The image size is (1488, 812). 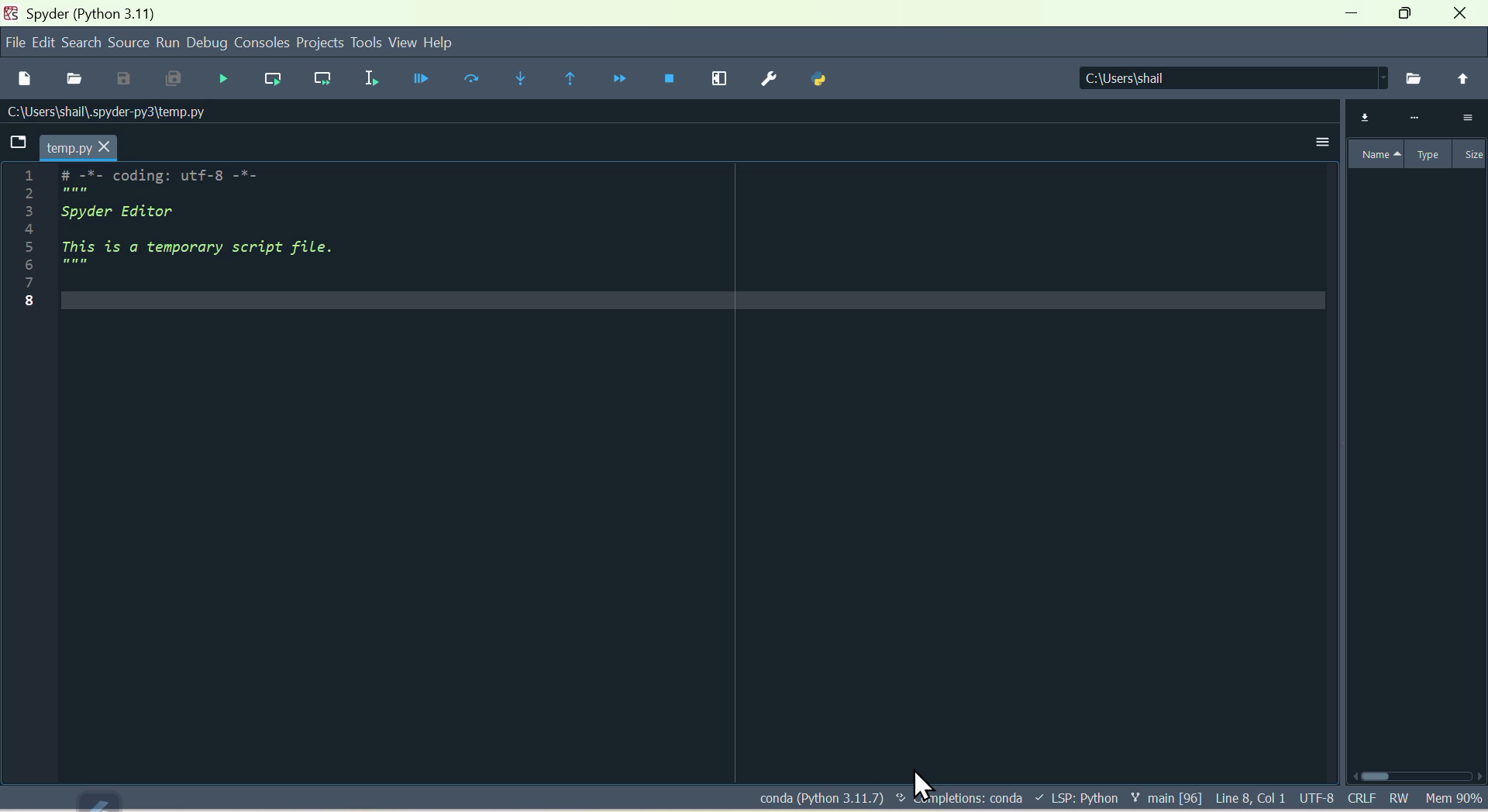 I want to click on Run current line and go to the next one, so click(x=319, y=77).